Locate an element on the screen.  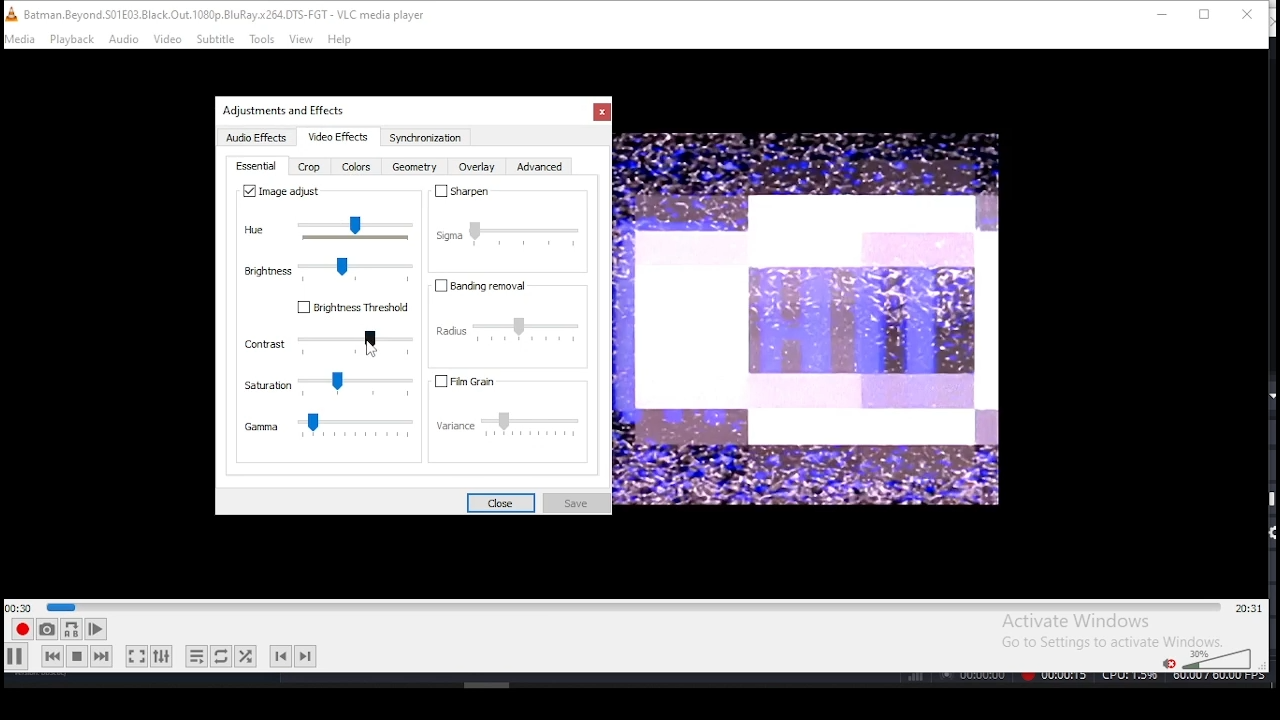
sharpen on/off is located at coordinates (460, 191).